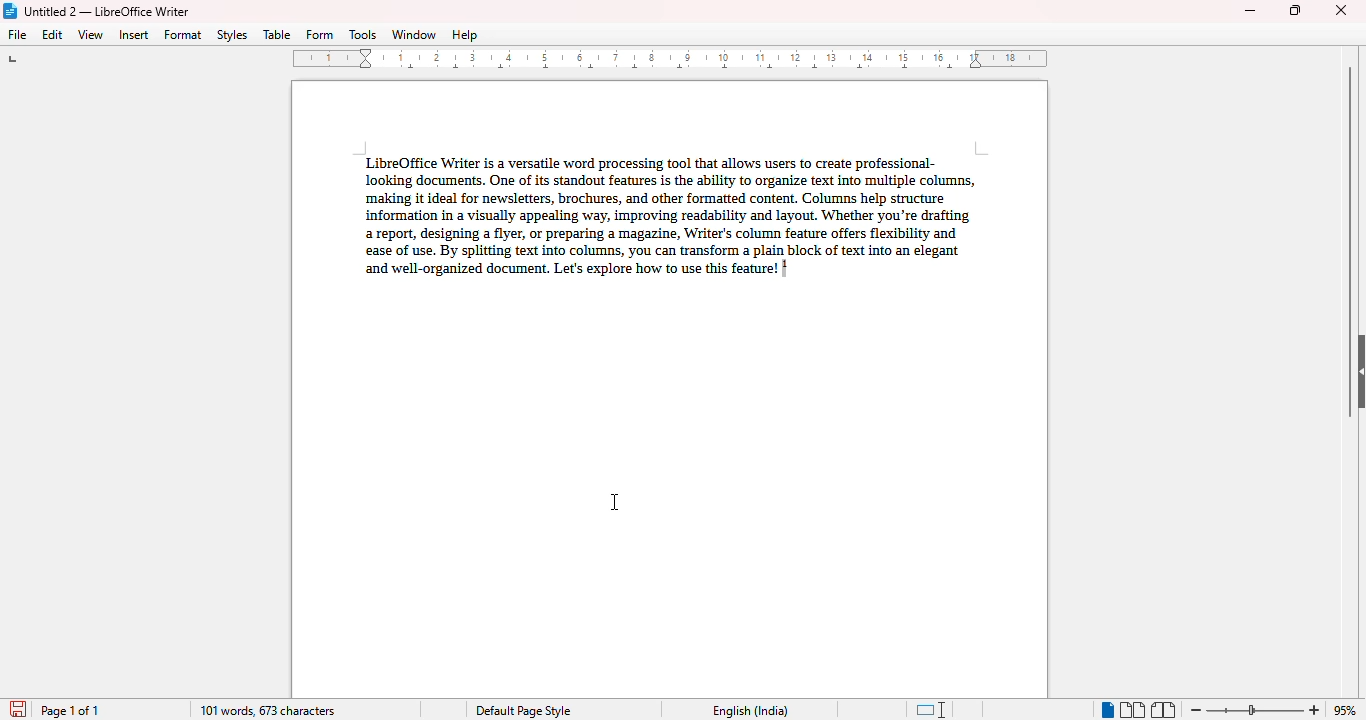  Describe the element at coordinates (71, 711) in the screenshot. I see `page 1 of 1` at that location.